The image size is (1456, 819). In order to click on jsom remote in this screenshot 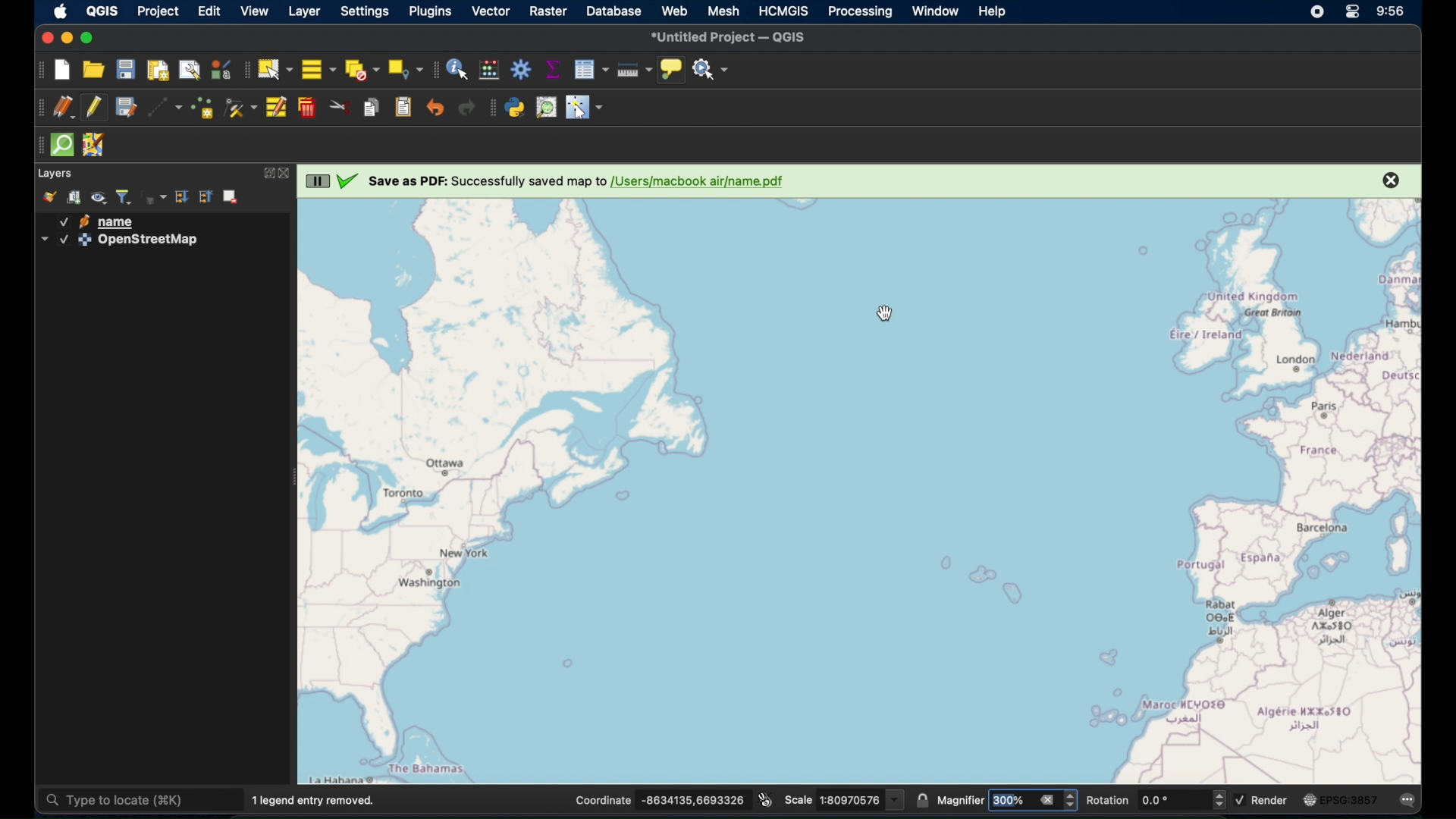, I will do `click(93, 145)`.